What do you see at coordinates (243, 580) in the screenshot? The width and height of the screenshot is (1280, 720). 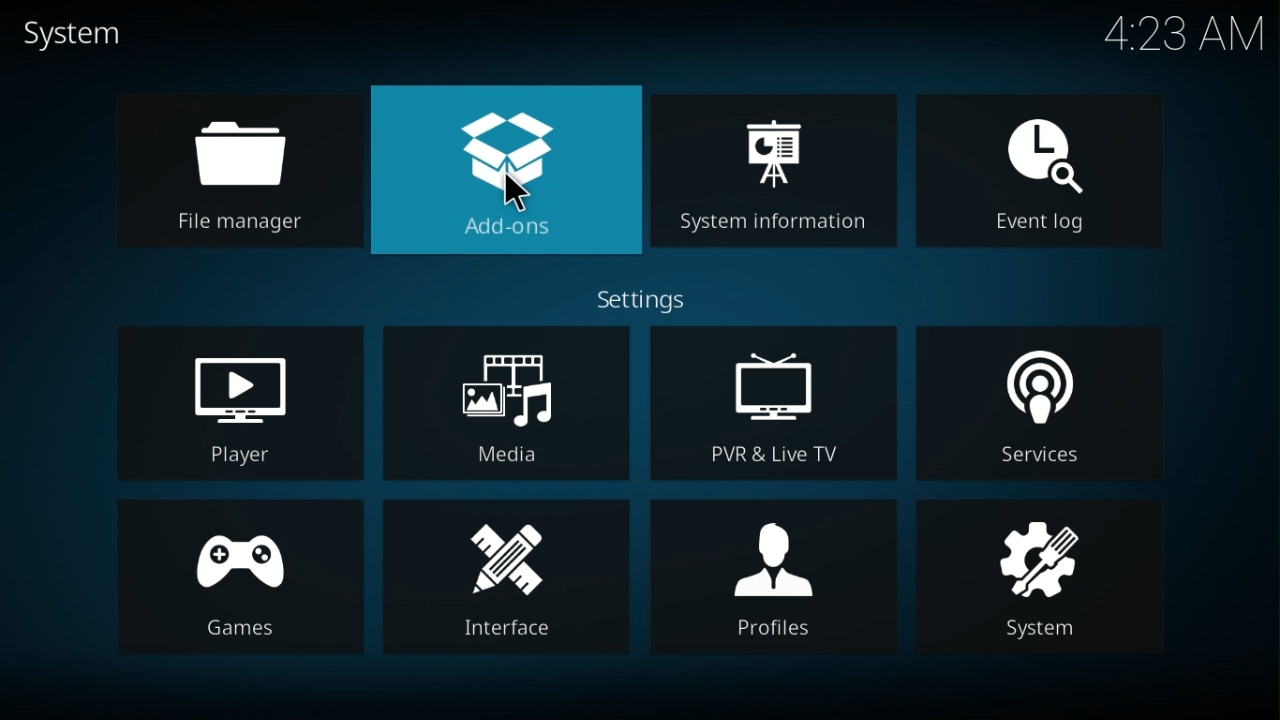 I see `Games` at bounding box center [243, 580].